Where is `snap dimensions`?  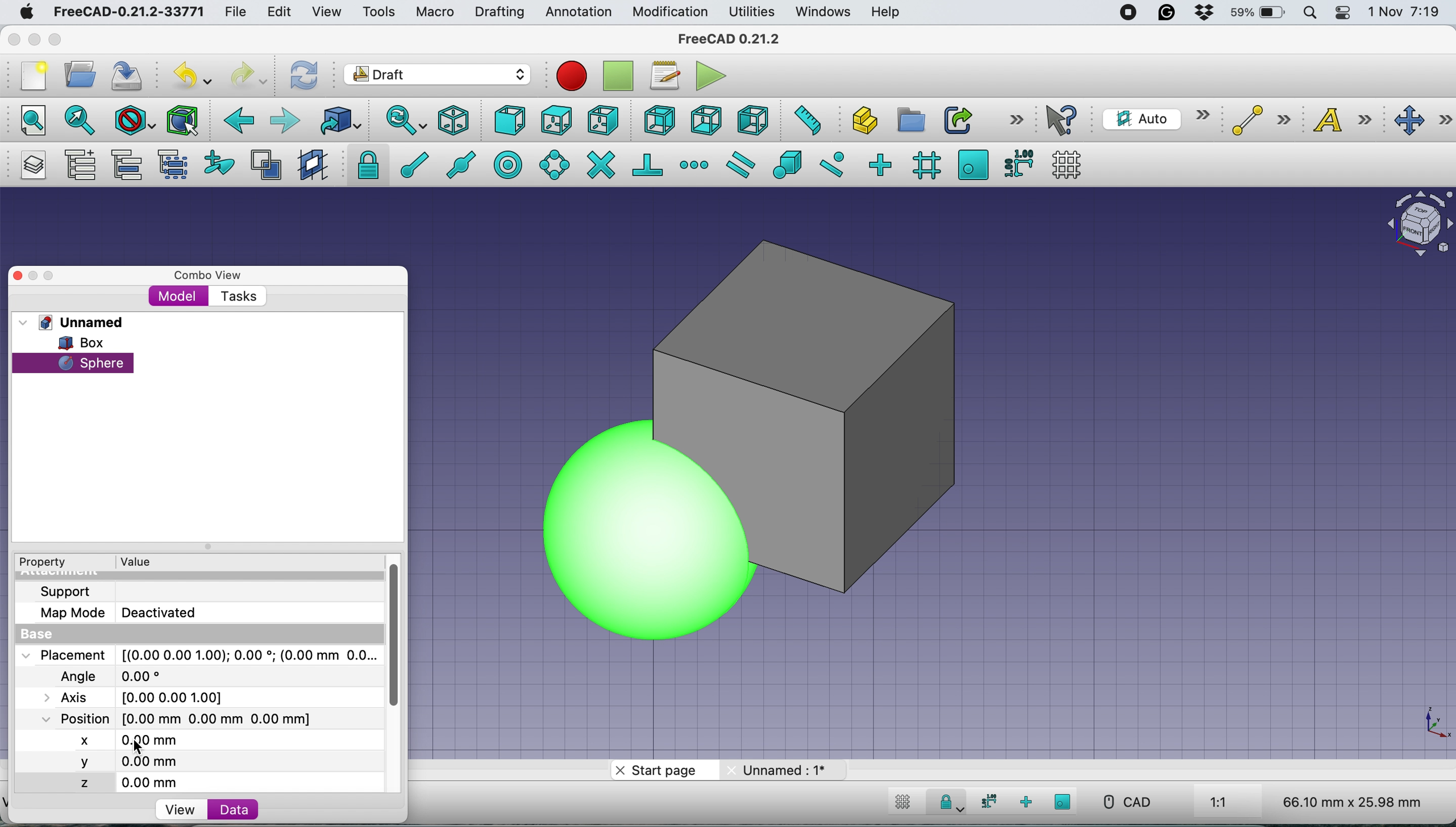
snap dimensions is located at coordinates (1018, 162).